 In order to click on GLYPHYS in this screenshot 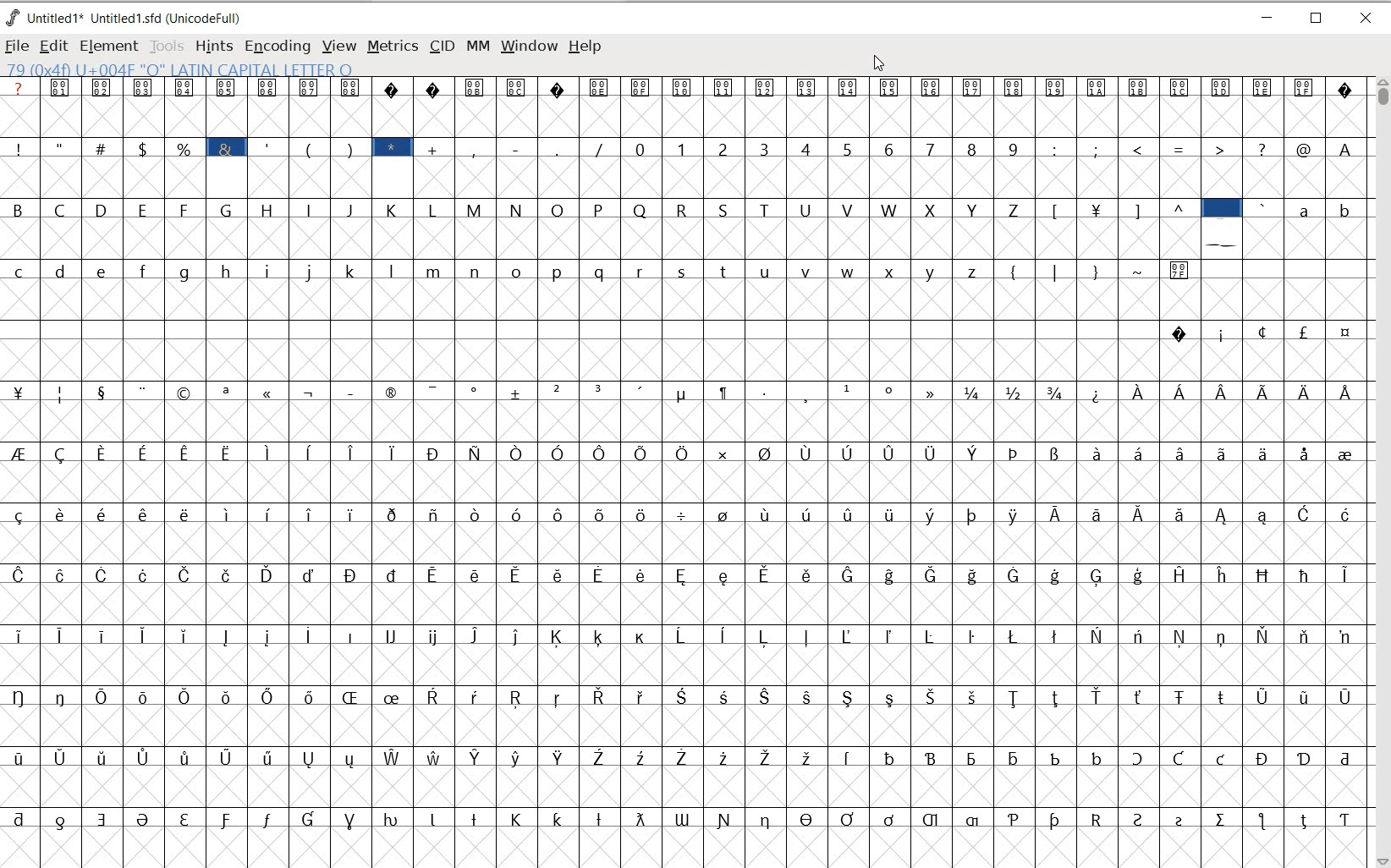, I will do `click(682, 470)`.